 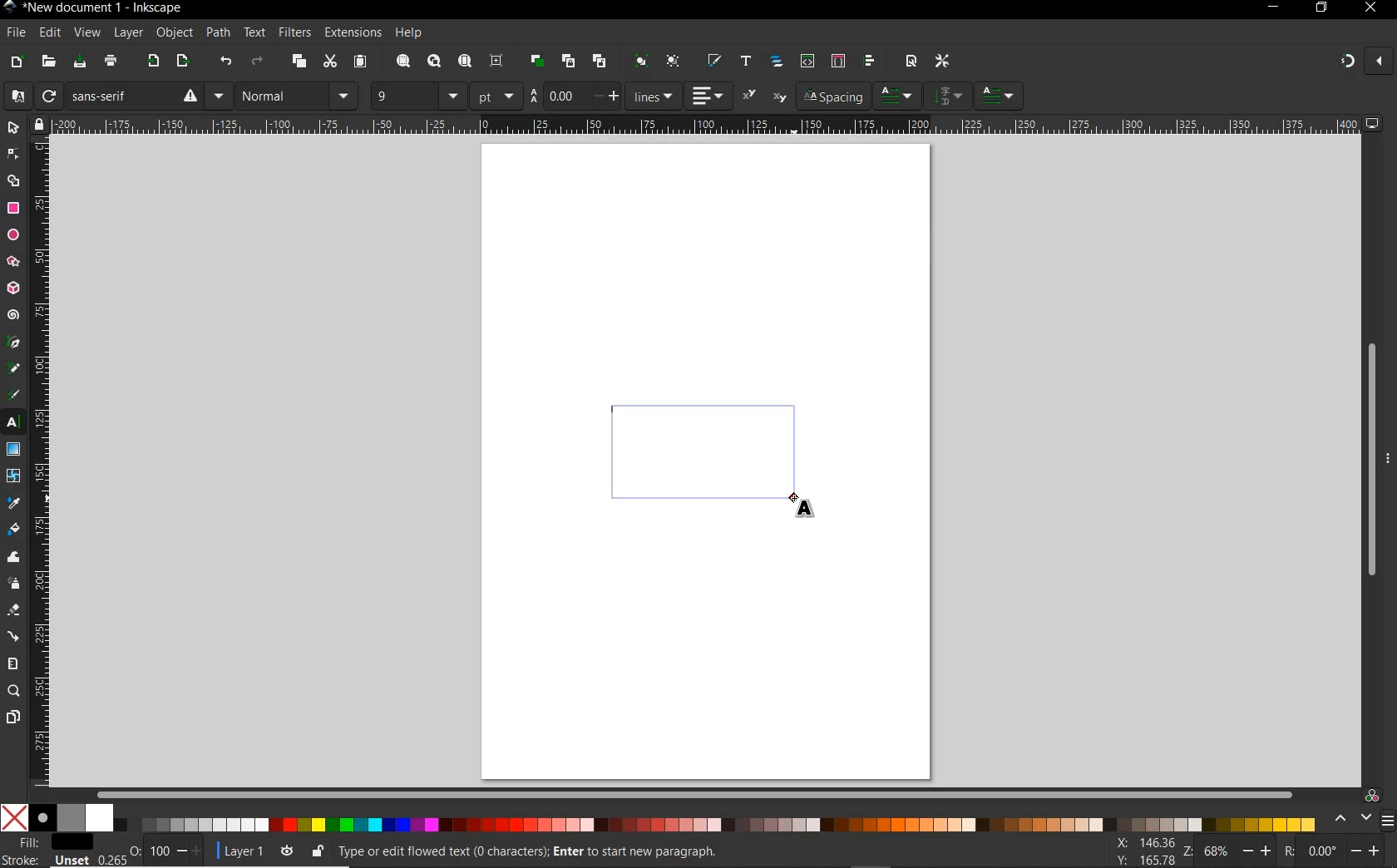 What do you see at coordinates (598, 62) in the screenshot?
I see `unlink clone` at bounding box center [598, 62].